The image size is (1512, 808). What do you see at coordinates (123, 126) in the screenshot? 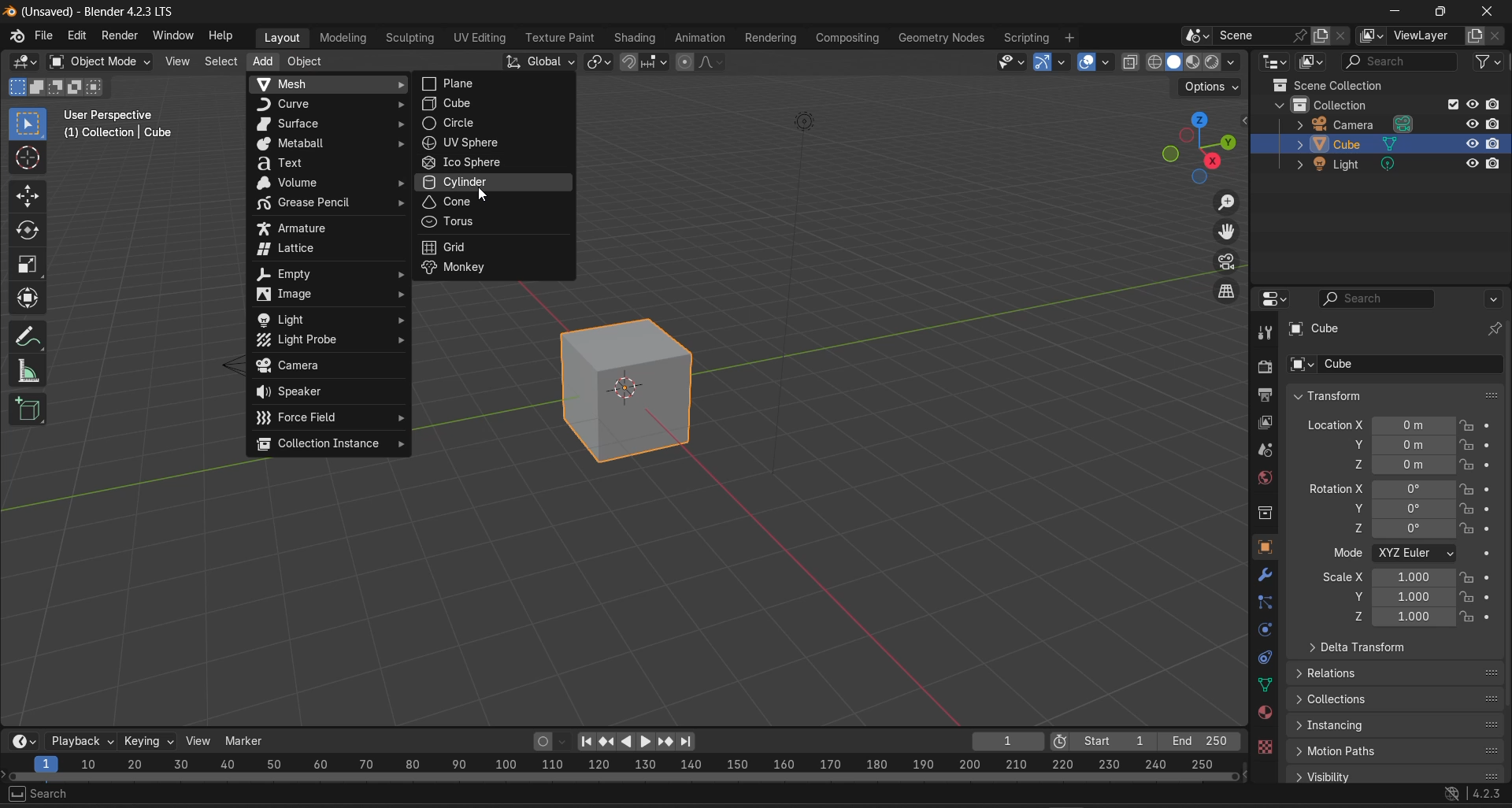
I see `user perspective : cube` at bounding box center [123, 126].